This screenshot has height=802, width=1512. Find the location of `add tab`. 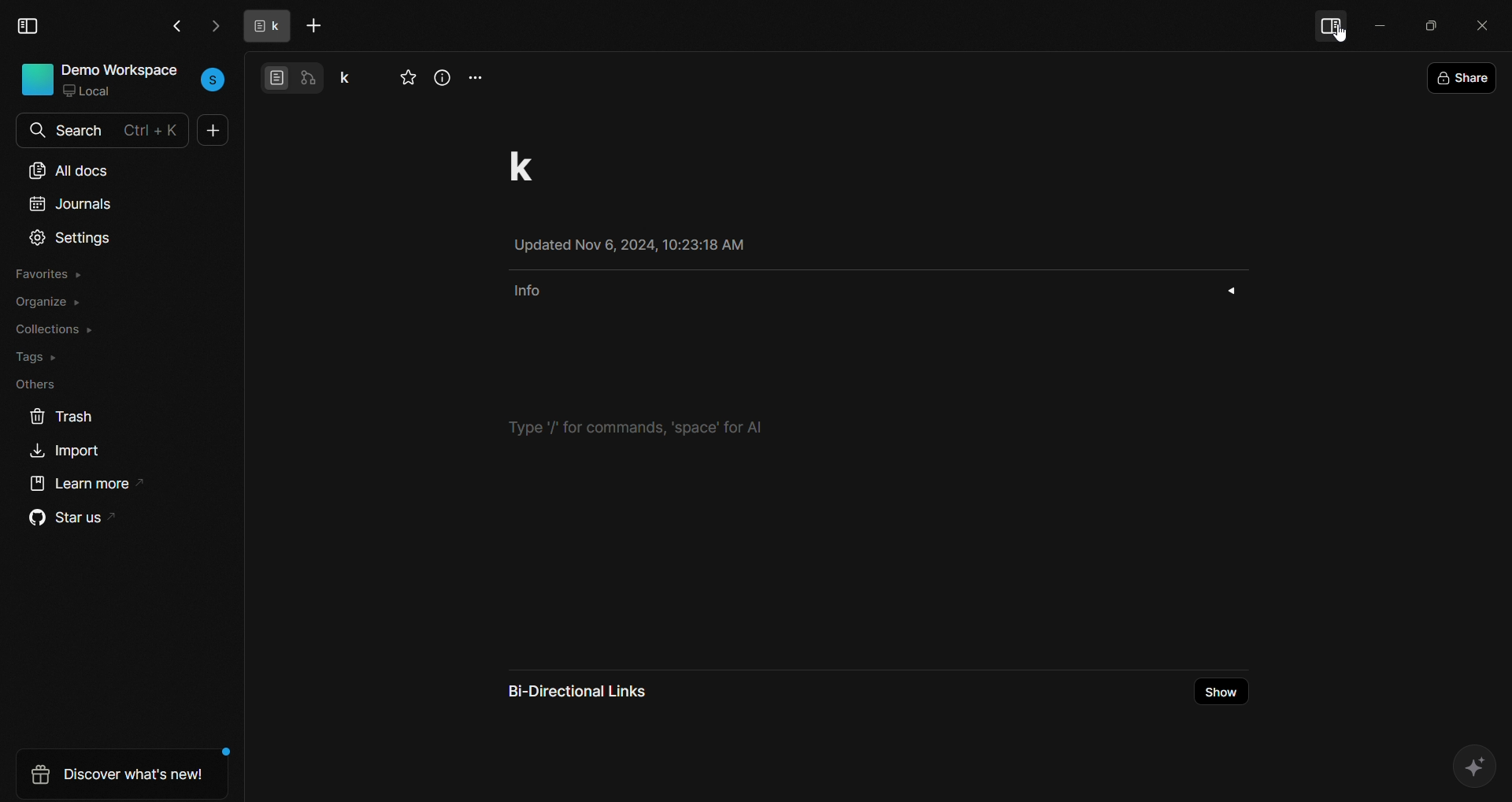

add tab is located at coordinates (317, 26).